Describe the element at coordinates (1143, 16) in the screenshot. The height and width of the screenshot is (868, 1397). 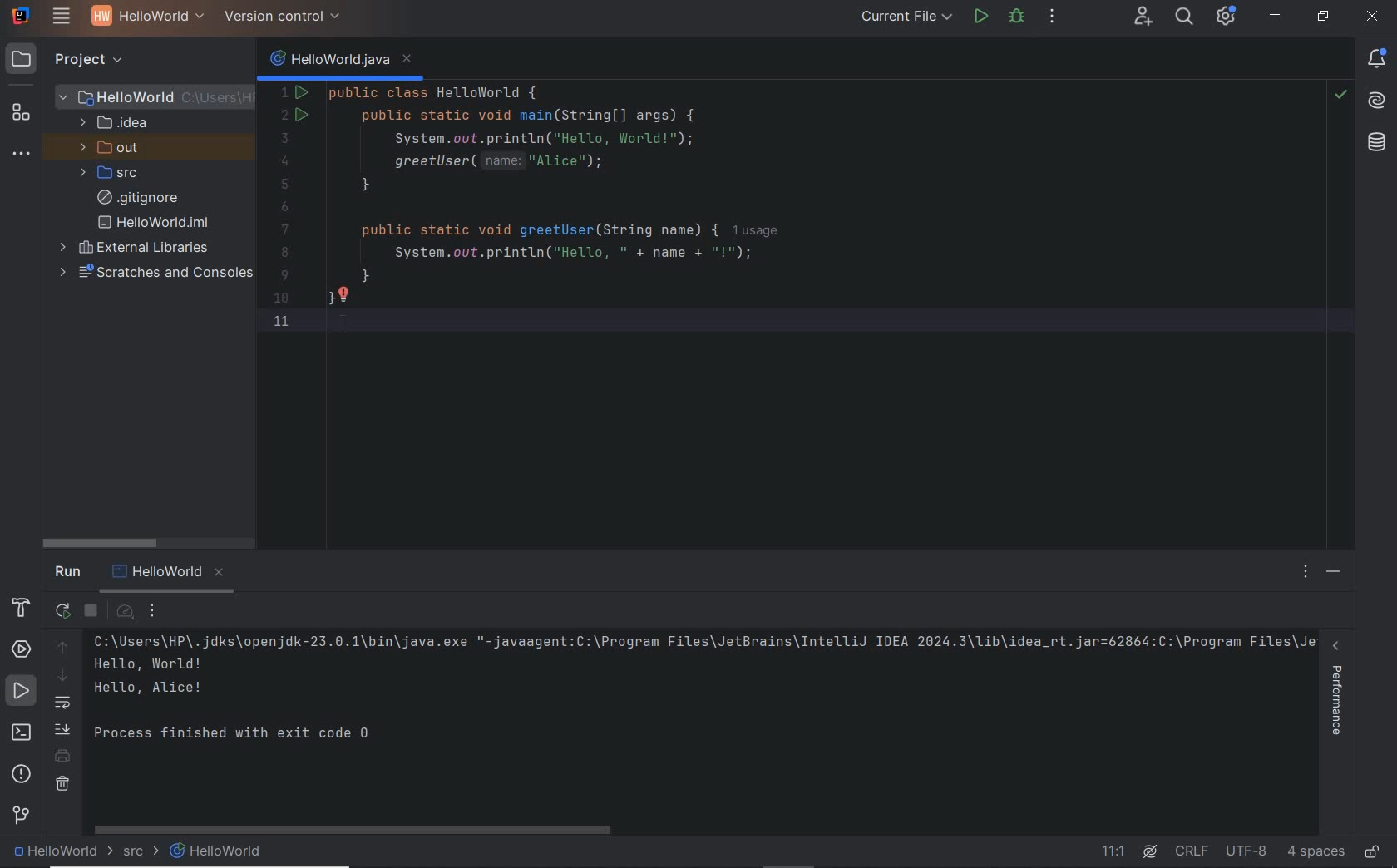
I see `code with me` at that location.